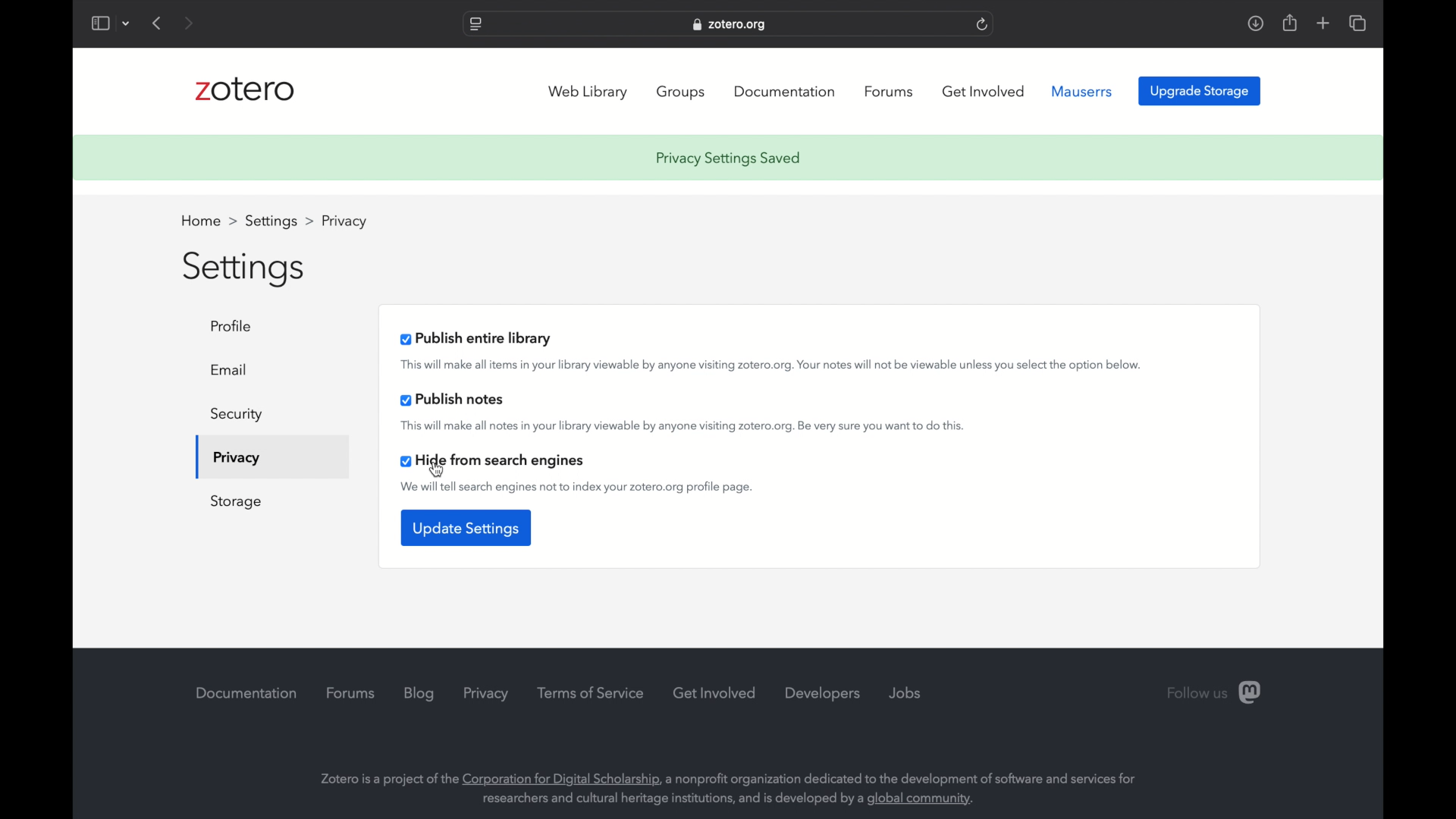  Describe the element at coordinates (732, 158) in the screenshot. I see `privacy settings saved` at that location.